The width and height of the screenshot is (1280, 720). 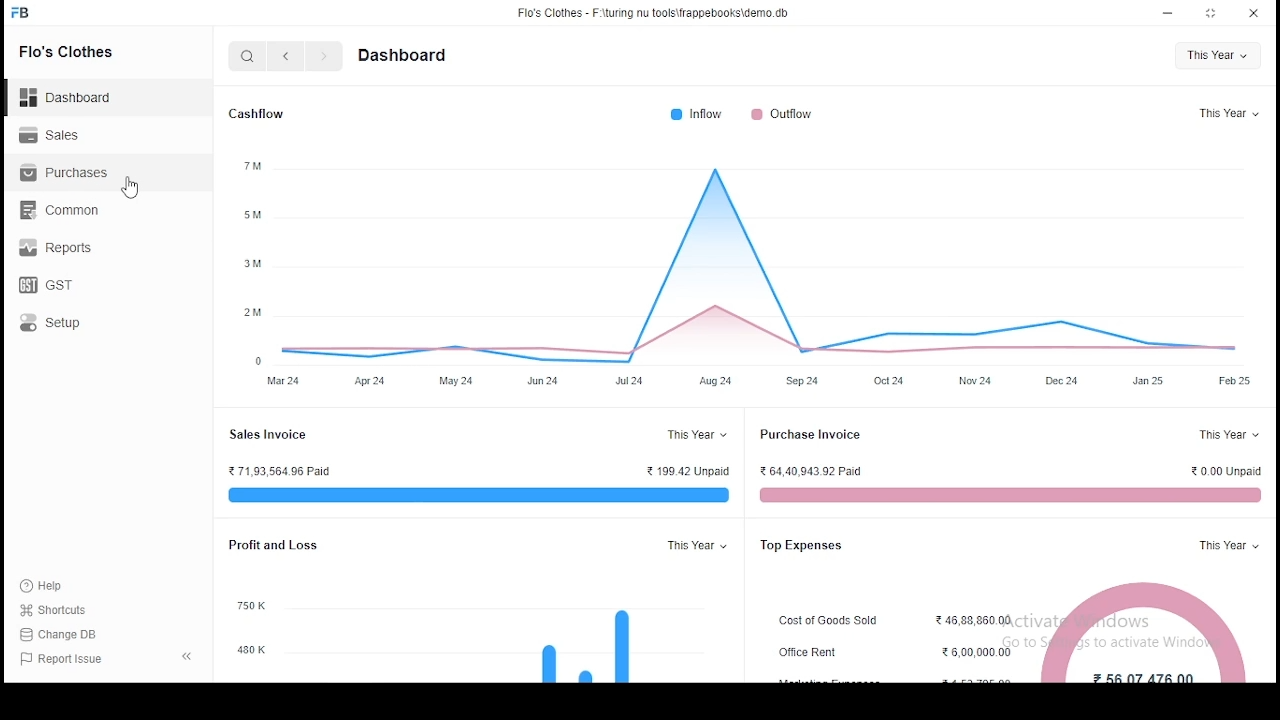 I want to click on oct 24, so click(x=892, y=380).